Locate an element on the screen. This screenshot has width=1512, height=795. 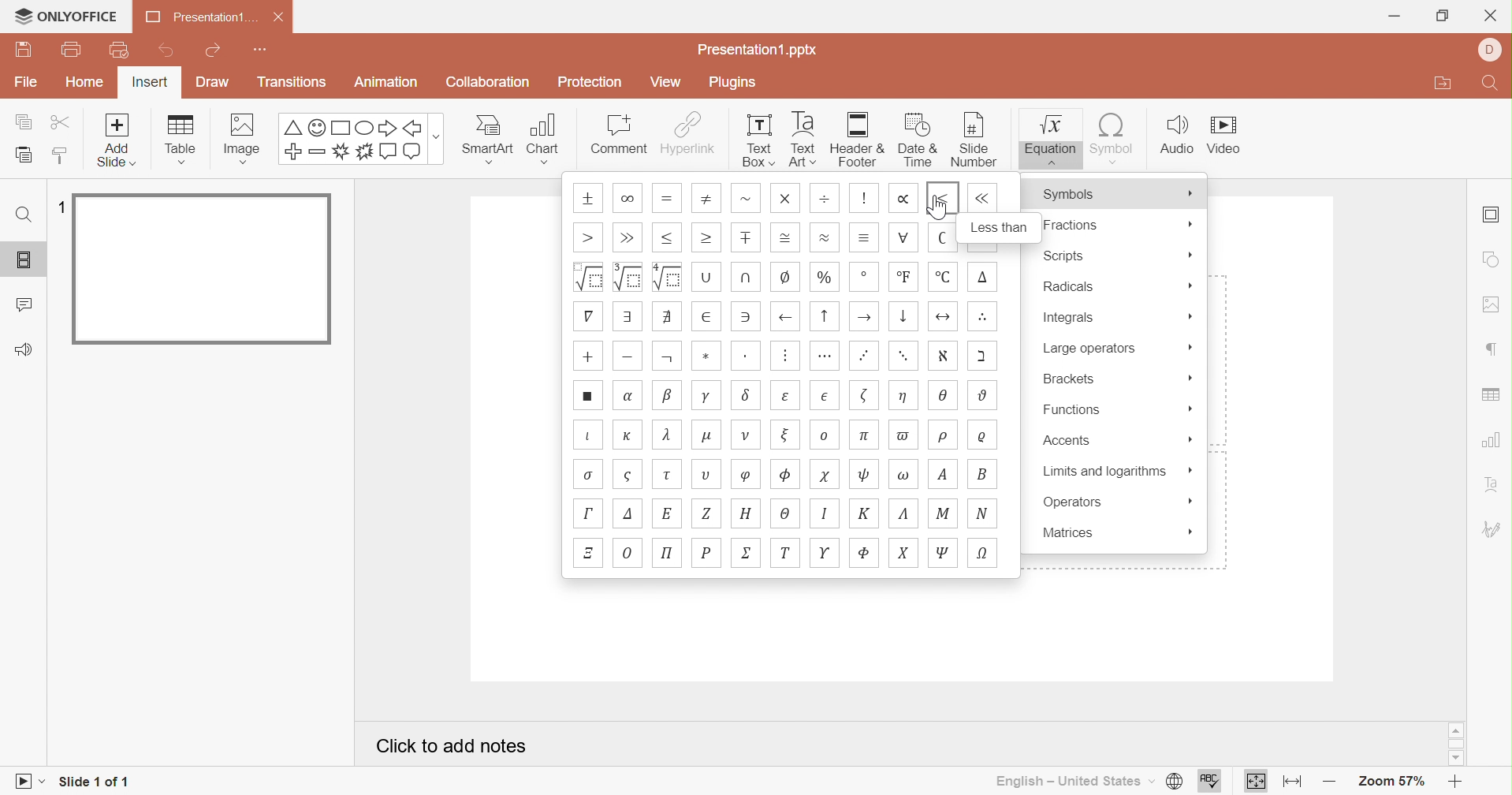
Cut is located at coordinates (69, 124).